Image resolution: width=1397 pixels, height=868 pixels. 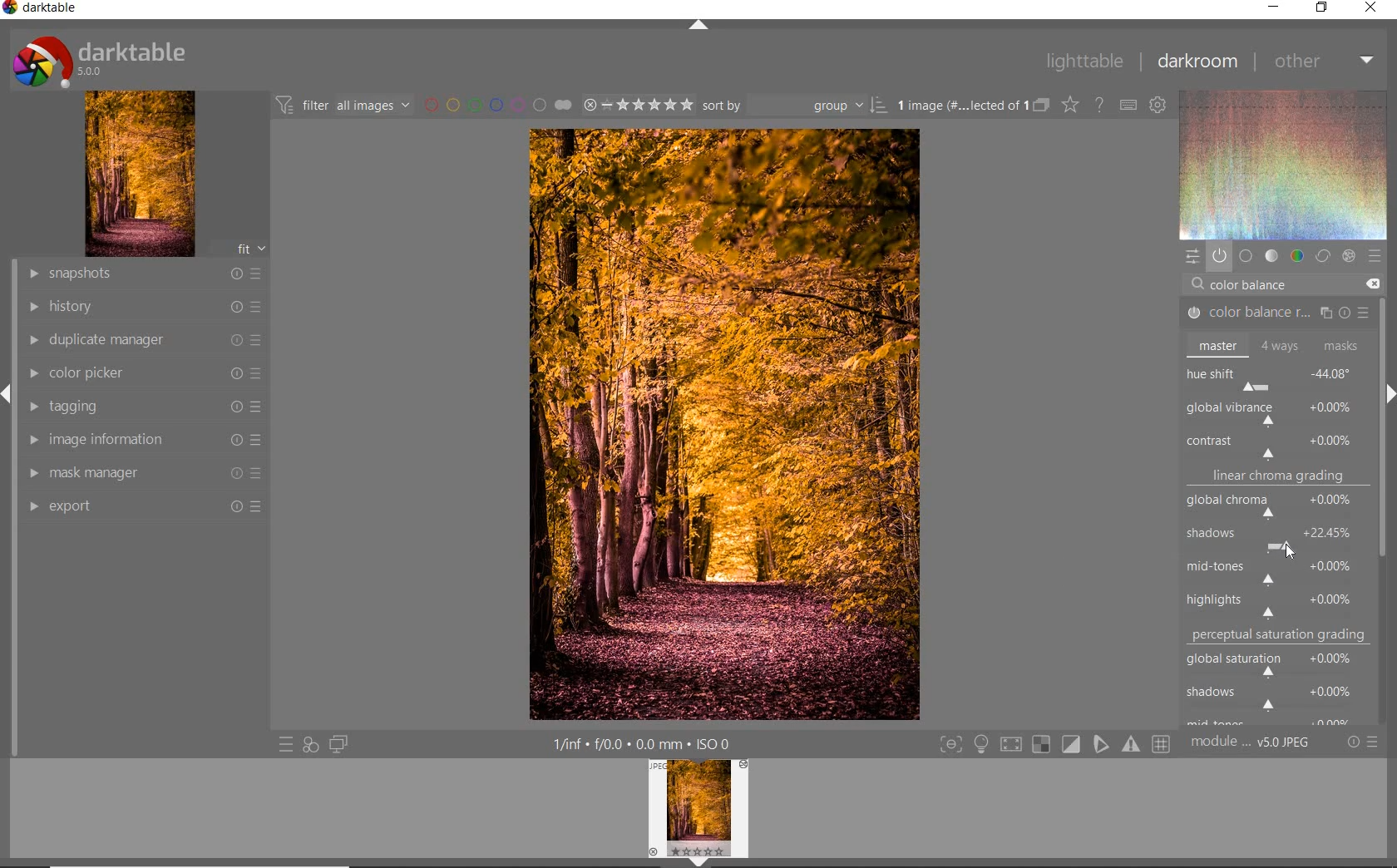 I want to click on wave form, so click(x=1282, y=165).